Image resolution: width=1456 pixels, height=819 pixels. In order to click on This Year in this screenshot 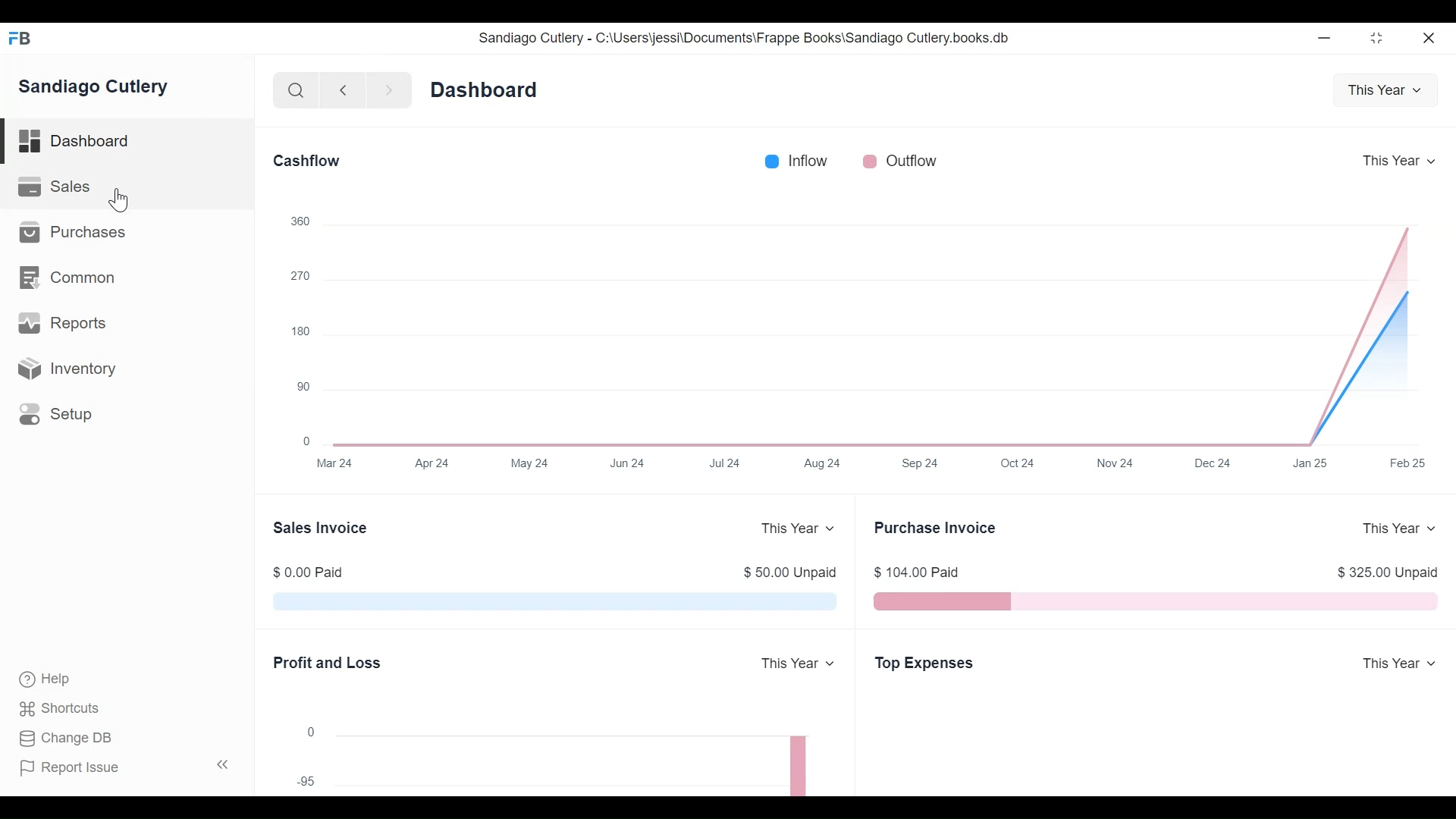, I will do `click(1398, 162)`.